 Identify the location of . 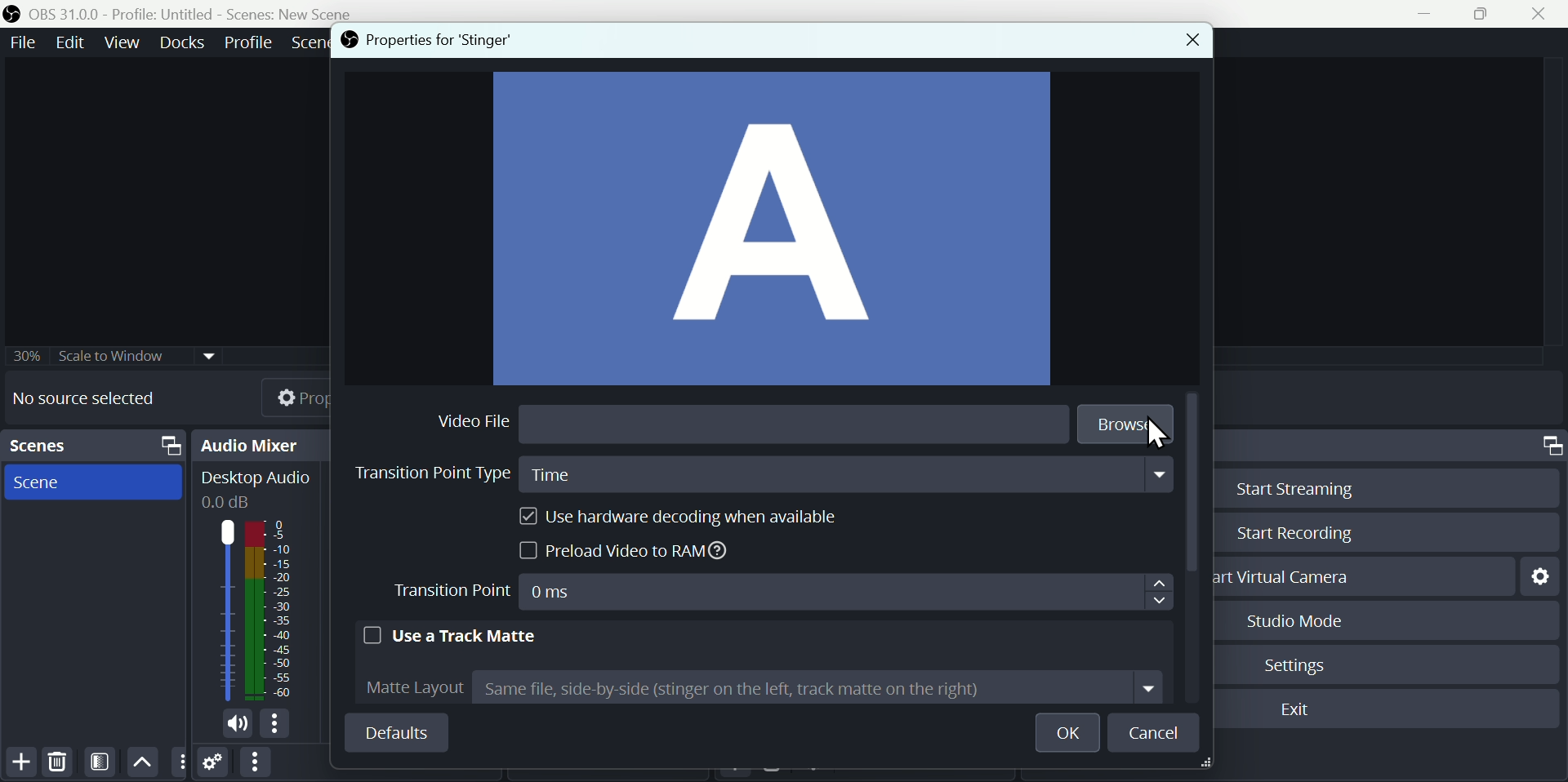
(73, 42).